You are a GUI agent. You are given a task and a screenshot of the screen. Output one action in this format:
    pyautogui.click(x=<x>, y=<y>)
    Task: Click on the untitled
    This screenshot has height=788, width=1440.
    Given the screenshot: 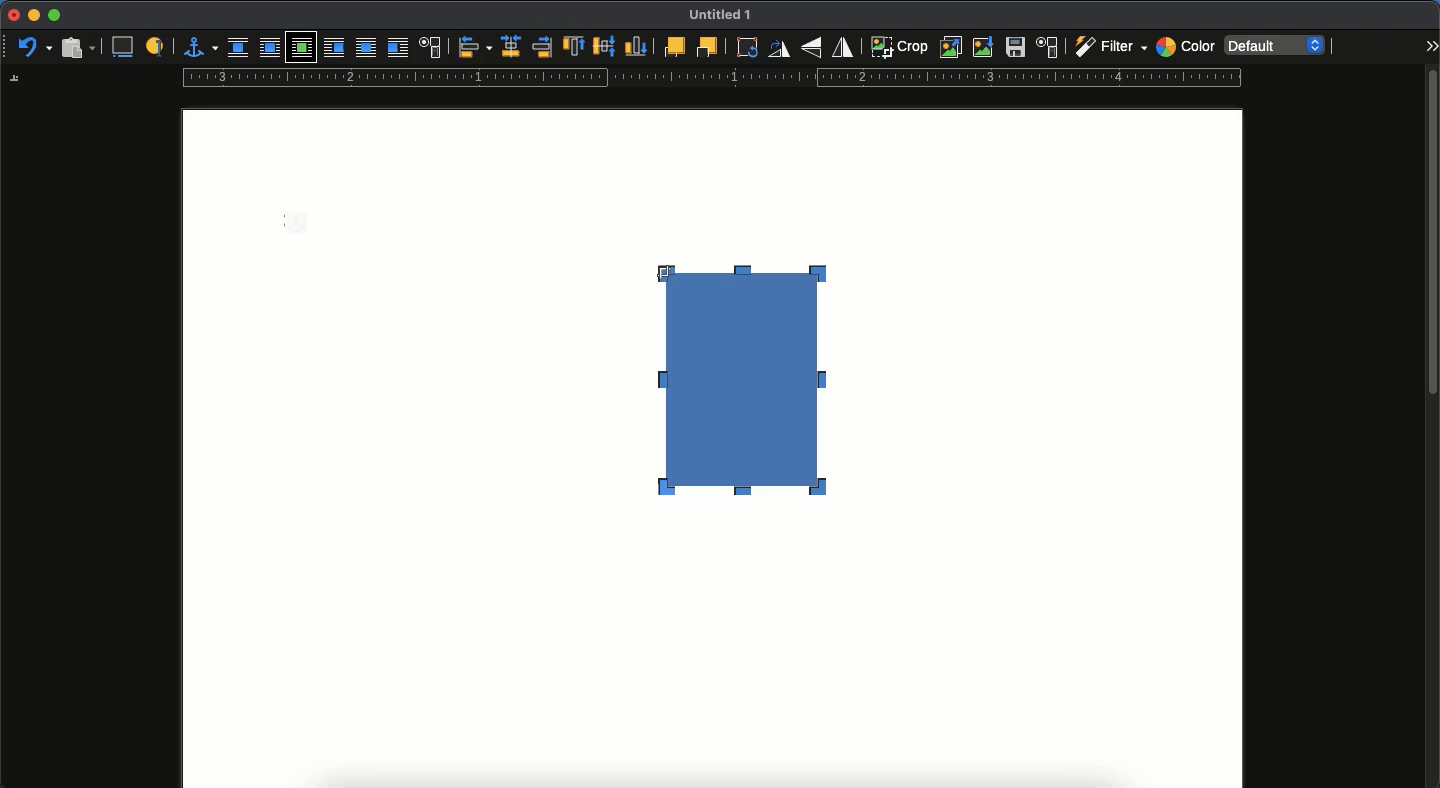 What is the action you would take?
    pyautogui.click(x=716, y=16)
    